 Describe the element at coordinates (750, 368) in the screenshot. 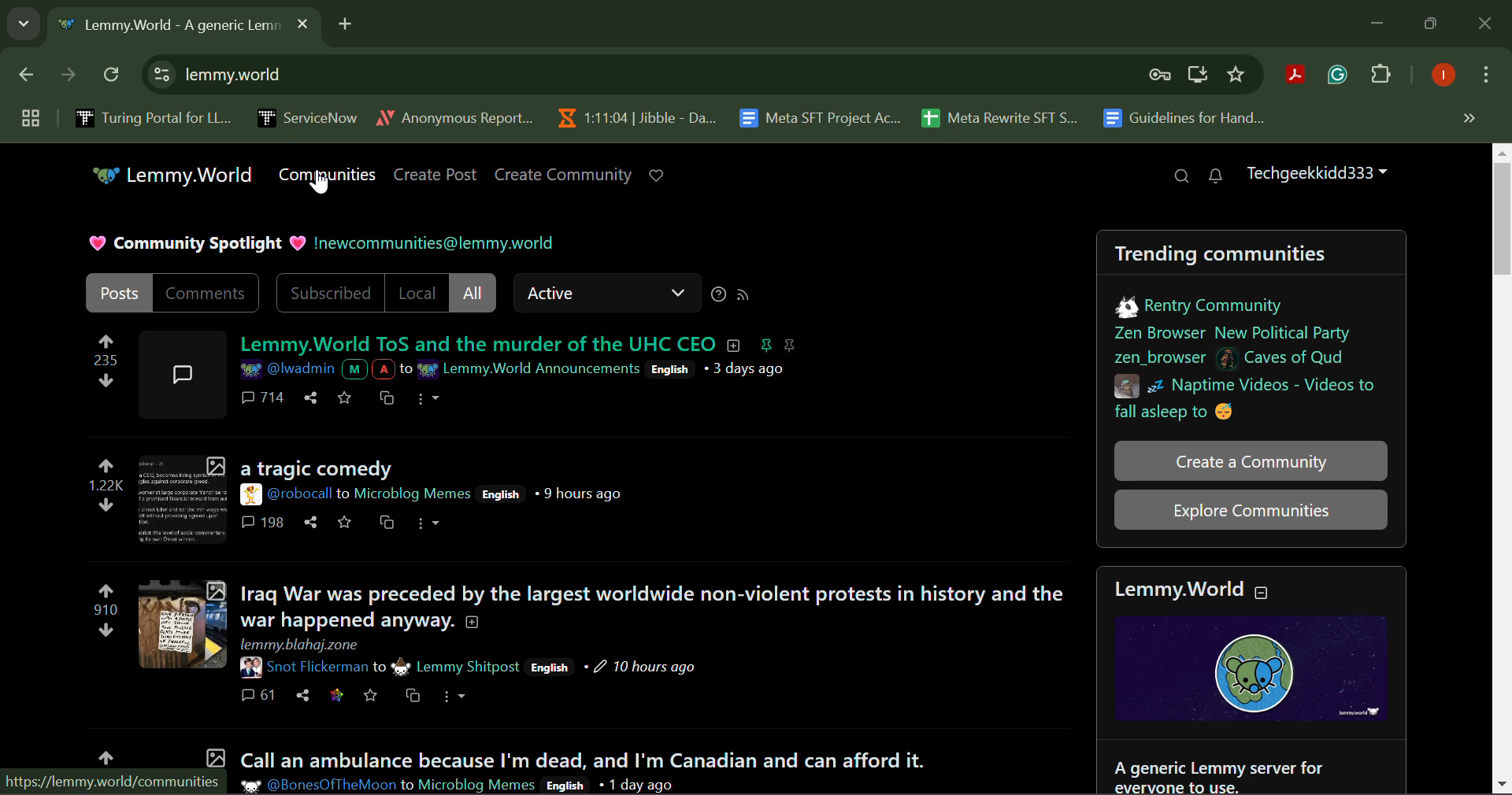

I see `3 days ago` at that location.